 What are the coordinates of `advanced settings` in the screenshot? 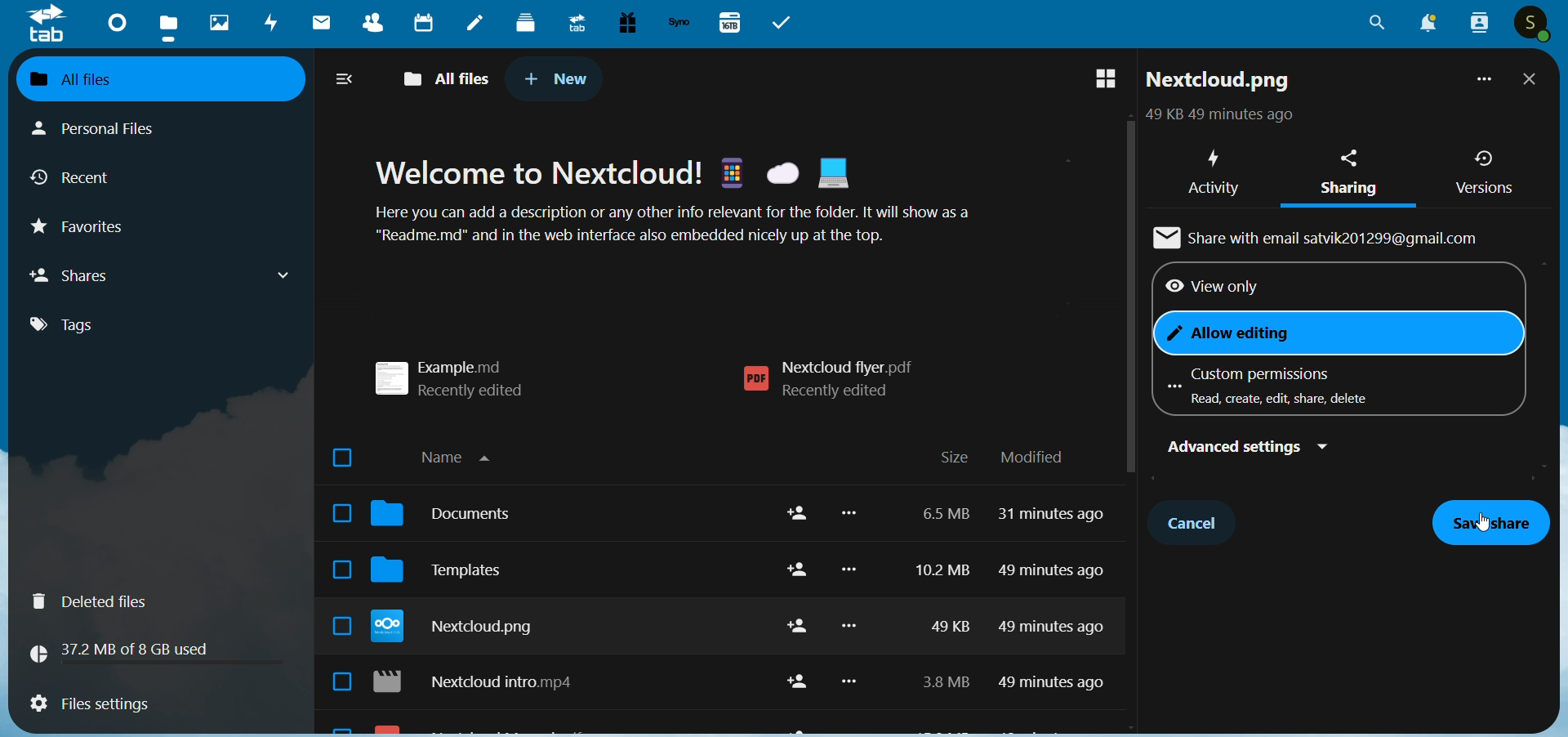 It's located at (1241, 446).